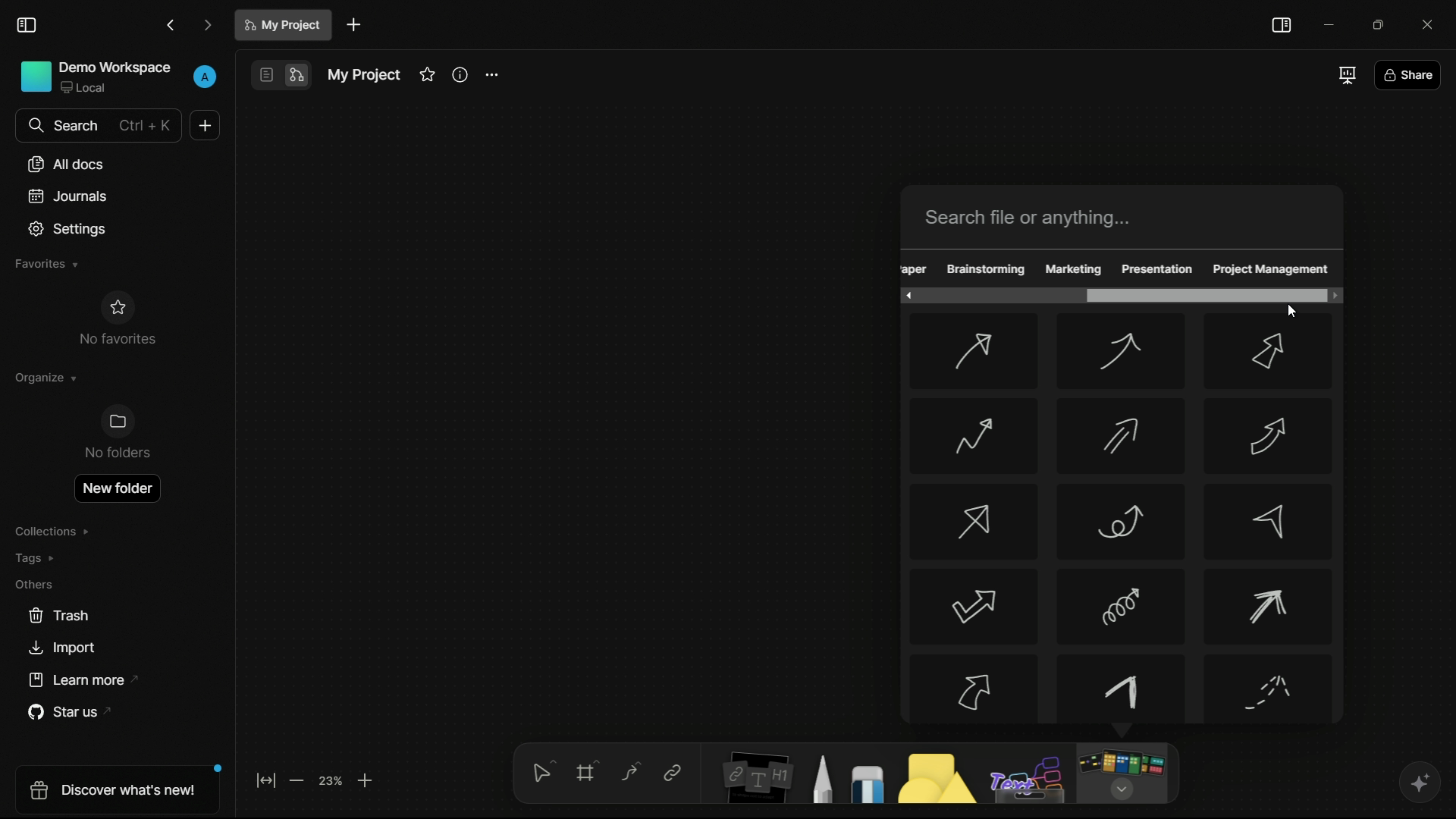 The image size is (1456, 819). I want to click on notes, so click(757, 777).